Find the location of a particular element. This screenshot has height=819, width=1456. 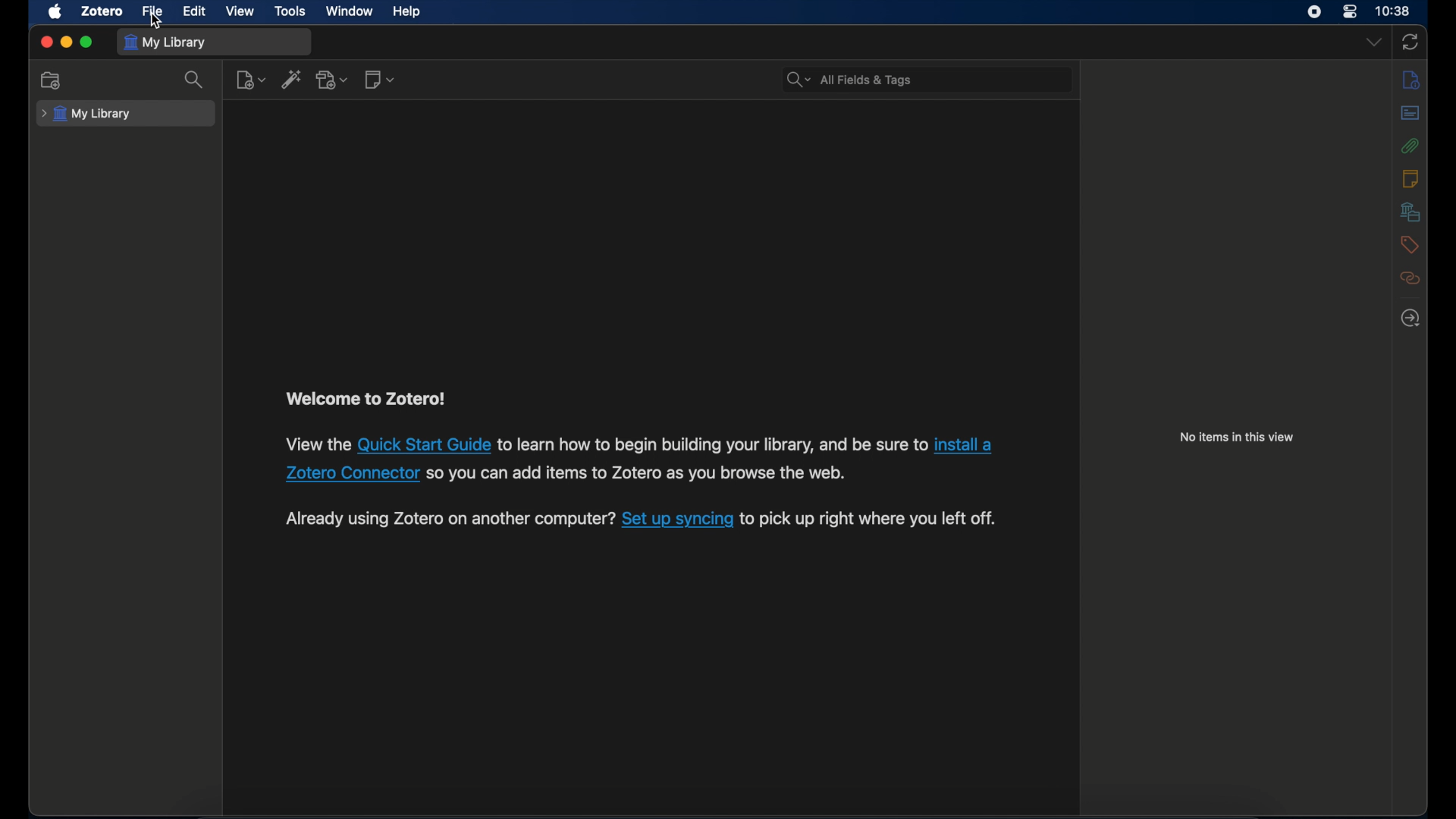

no items in this view is located at coordinates (1237, 437).